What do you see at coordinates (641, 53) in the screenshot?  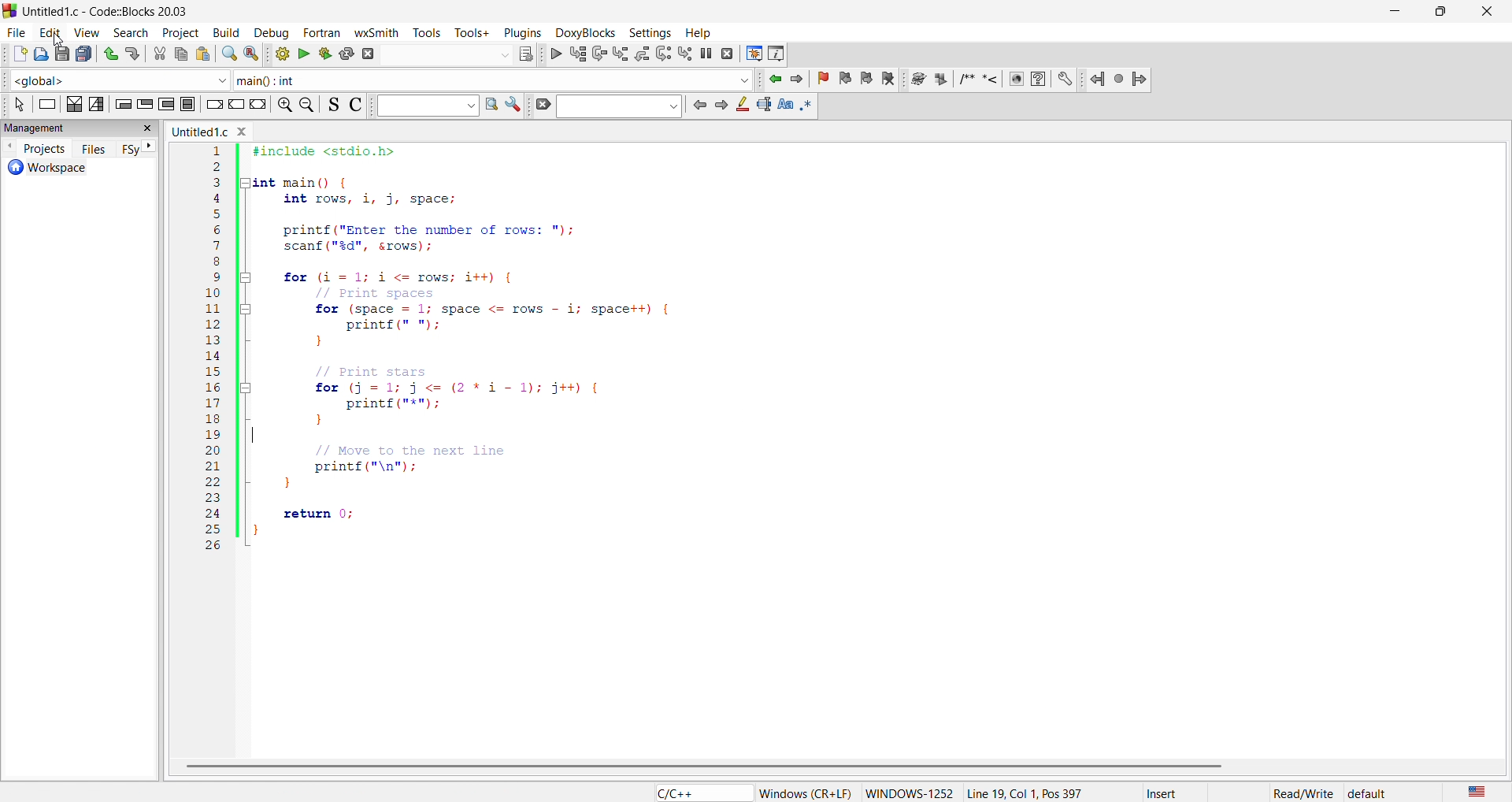 I see `step out` at bounding box center [641, 53].